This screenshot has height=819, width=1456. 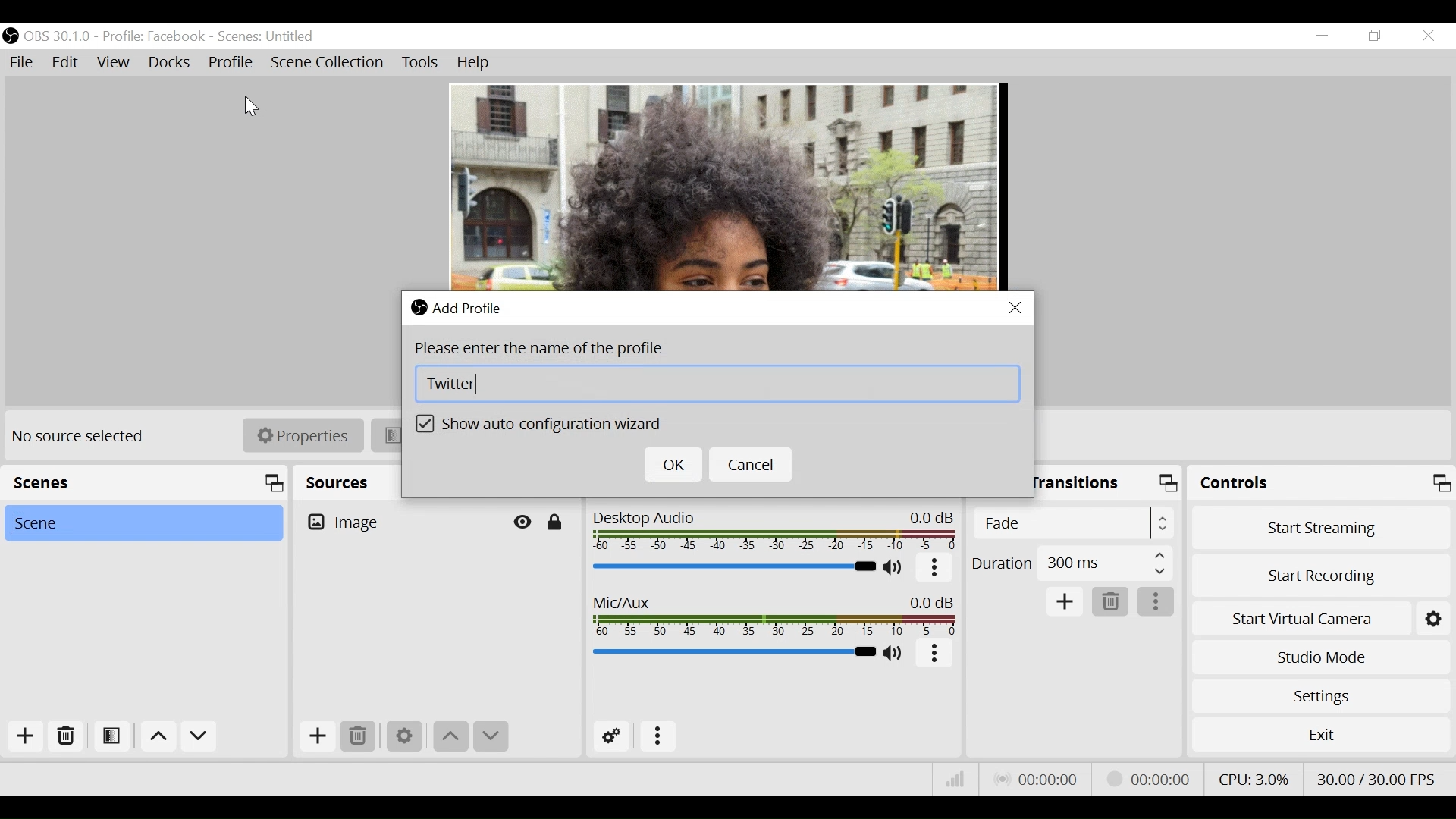 I want to click on Start Recording, so click(x=1320, y=574).